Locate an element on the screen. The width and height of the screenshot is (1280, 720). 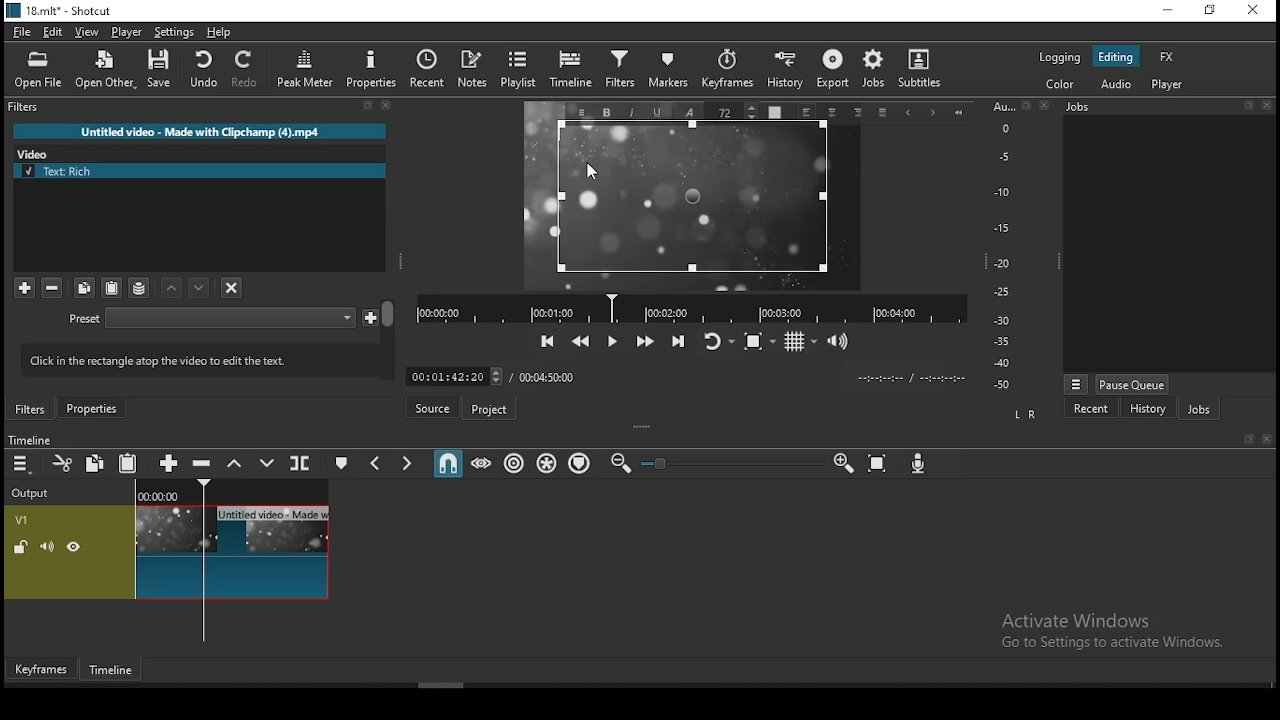
source is located at coordinates (431, 407).